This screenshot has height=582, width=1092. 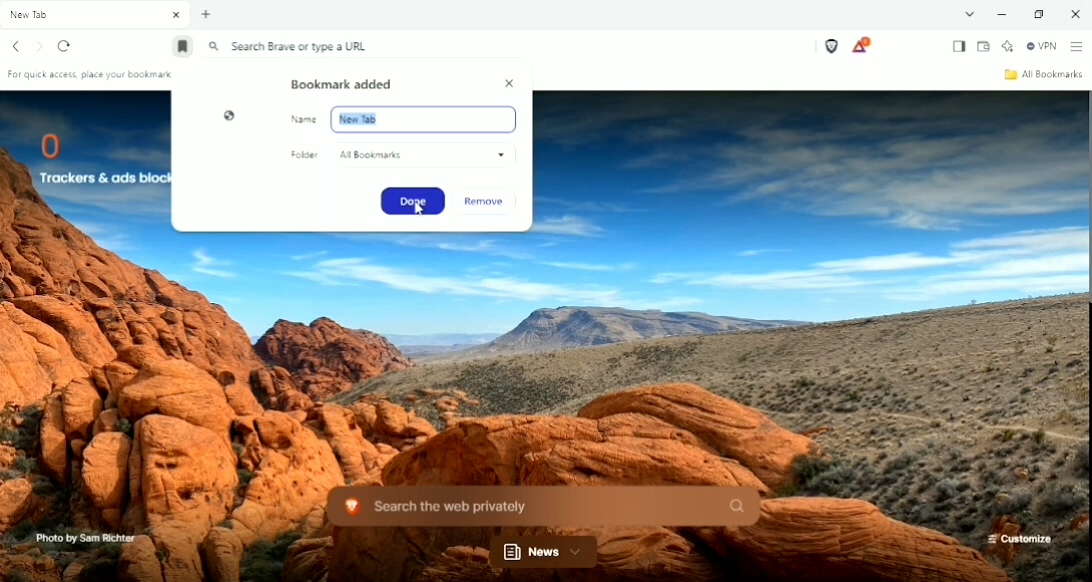 I want to click on Remove, so click(x=487, y=202).